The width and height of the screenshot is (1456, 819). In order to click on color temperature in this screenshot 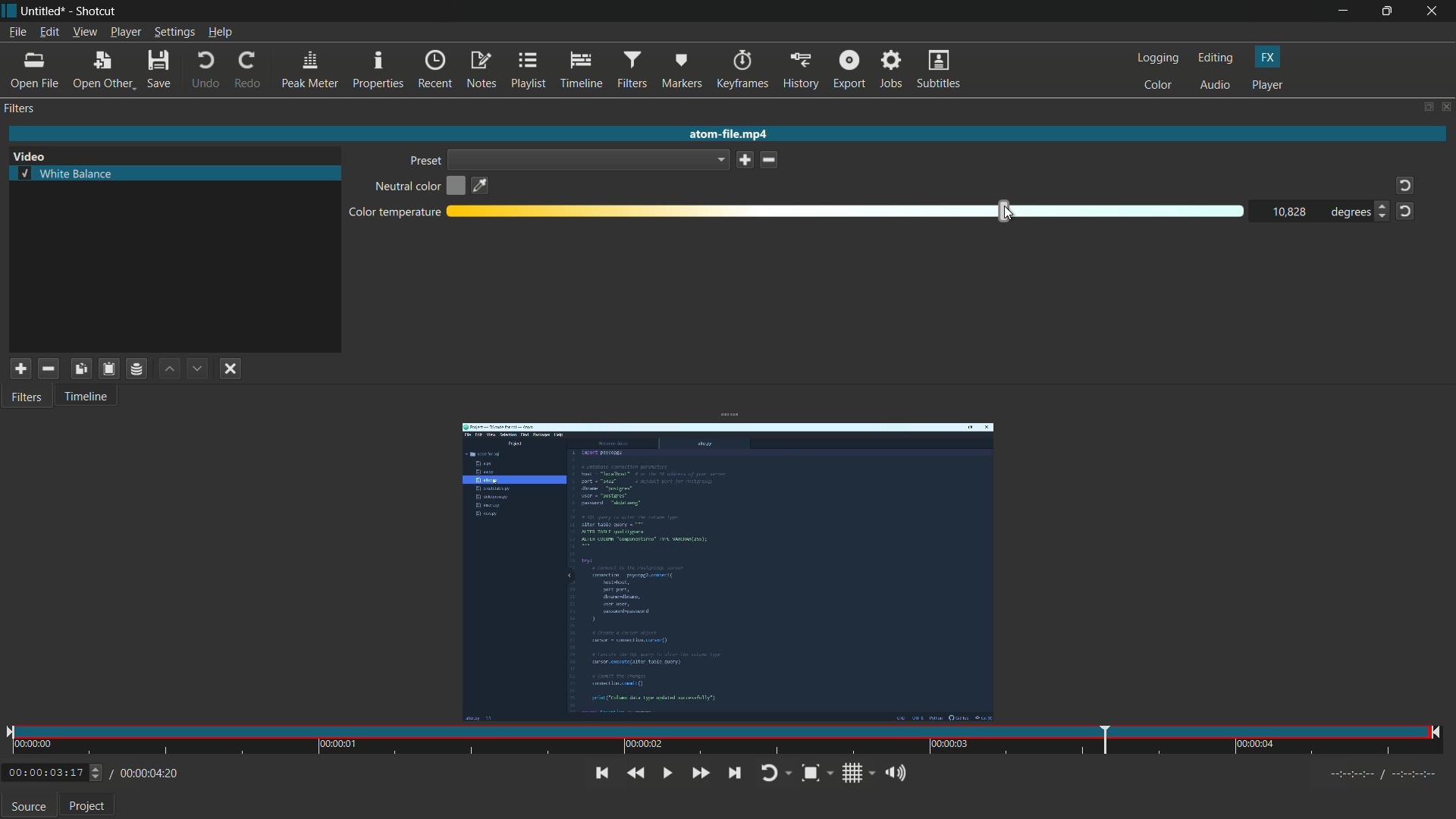, I will do `click(394, 213)`.